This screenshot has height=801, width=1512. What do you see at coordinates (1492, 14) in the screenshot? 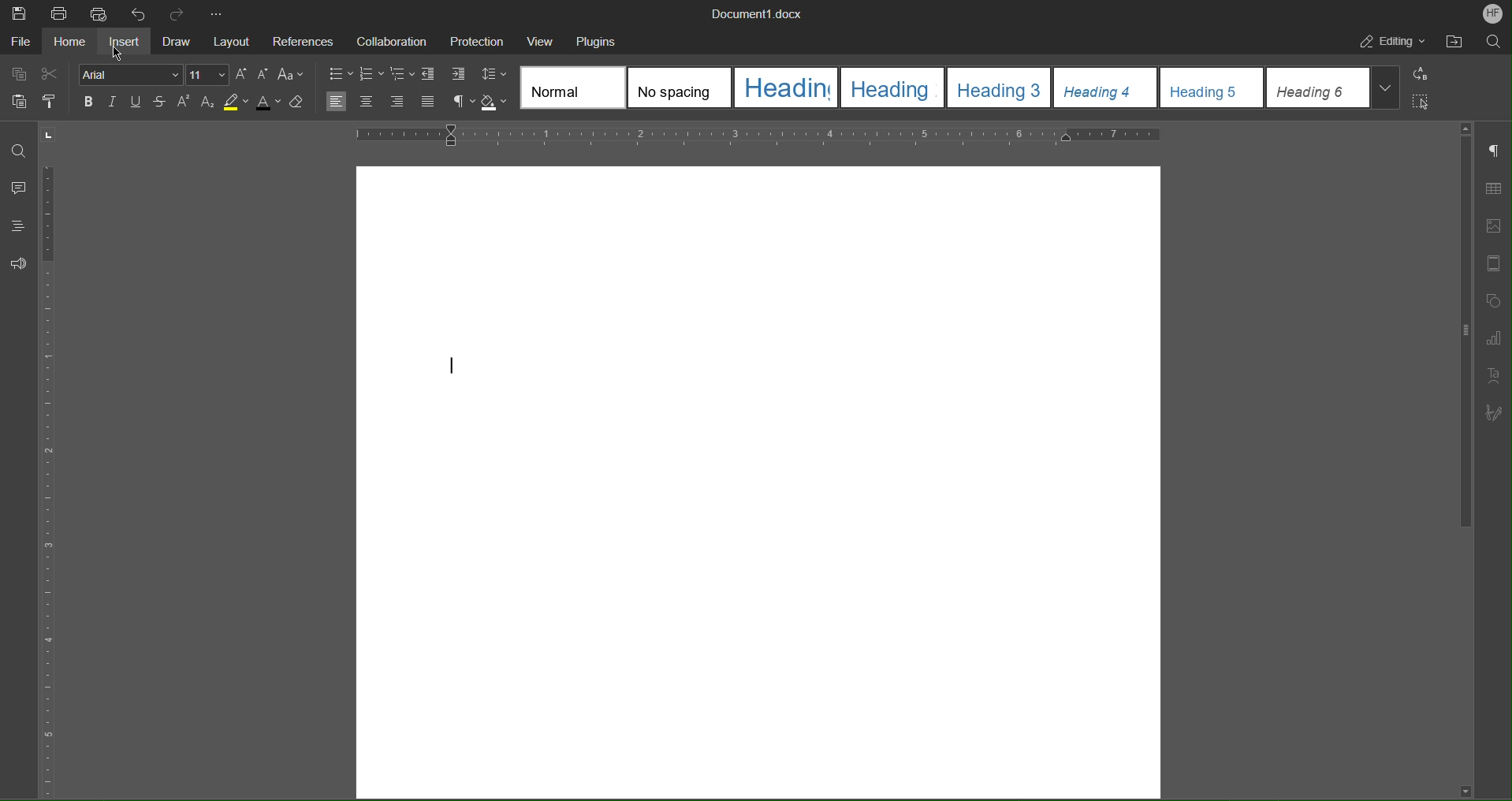
I see `Account` at bounding box center [1492, 14].